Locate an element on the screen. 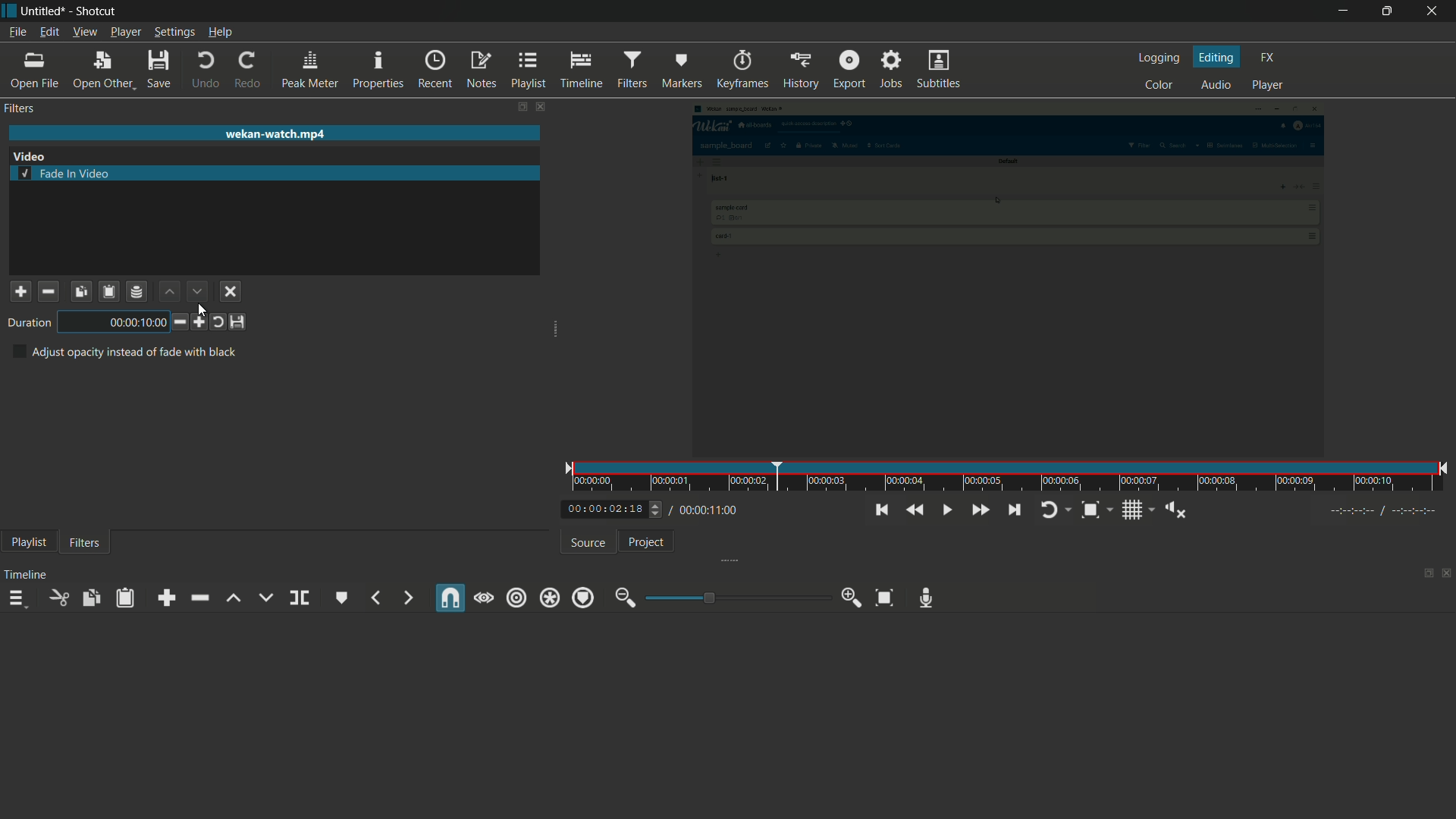 The width and height of the screenshot is (1456, 819). toggle play or pause is located at coordinates (946, 510).